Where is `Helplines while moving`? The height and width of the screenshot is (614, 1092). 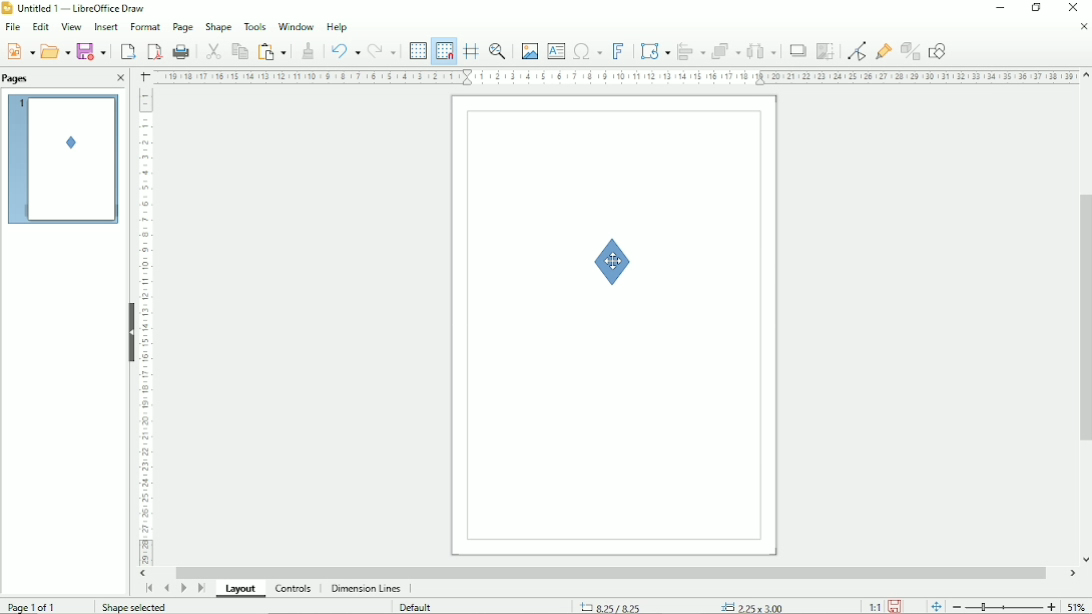 Helplines while moving is located at coordinates (470, 51).